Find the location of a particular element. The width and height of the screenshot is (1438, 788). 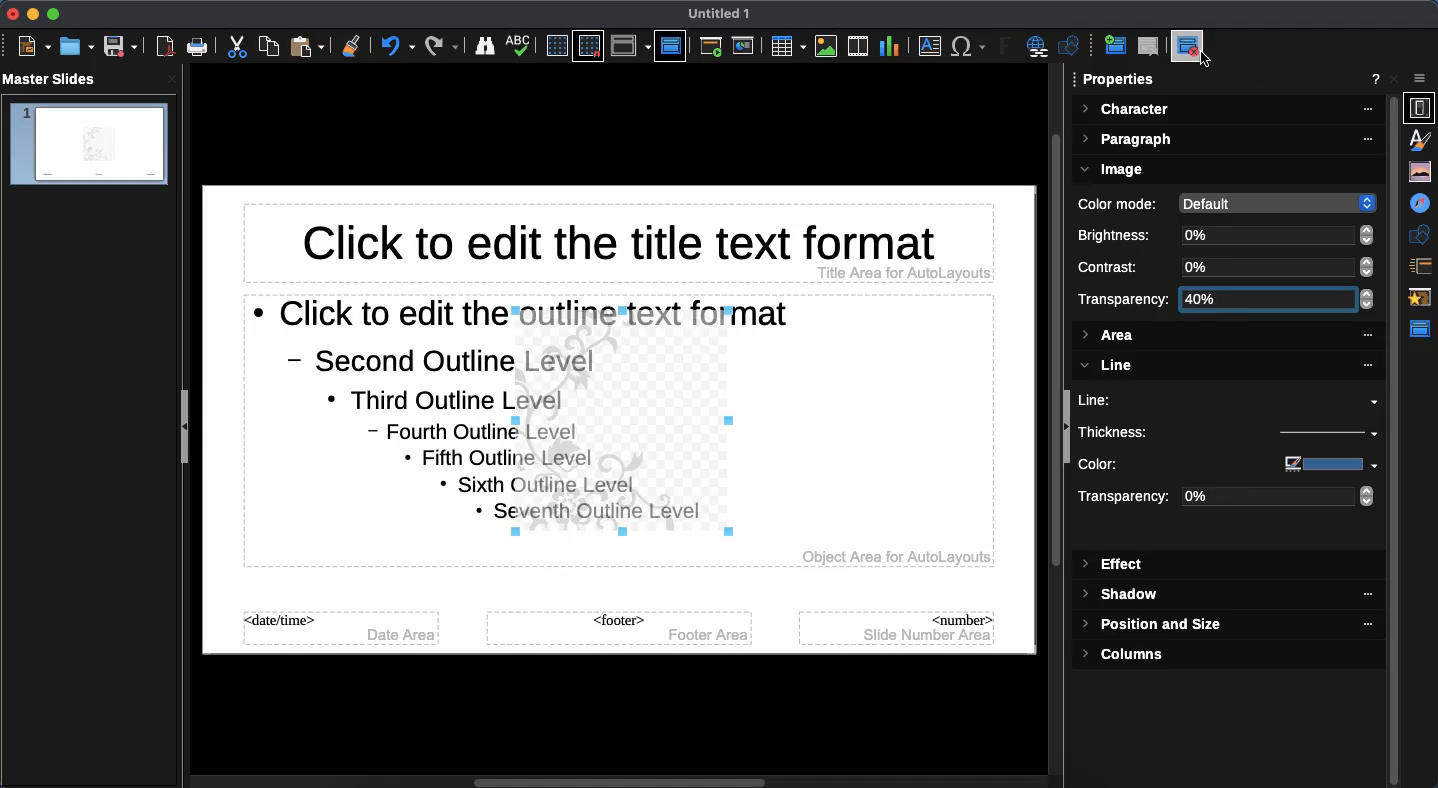

Thickness is located at coordinates (1159, 431).